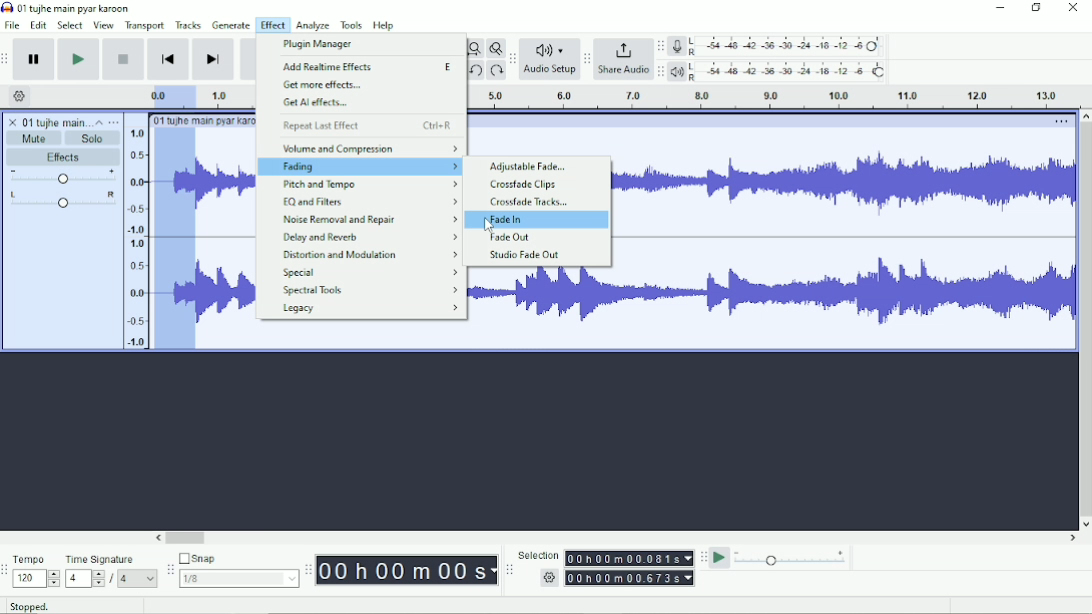 This screenshot has height=614, width=1092. What do you see at coordinates (371, 309) in the screenshot?
I see `Legacy` at bounding box center [371, 309].